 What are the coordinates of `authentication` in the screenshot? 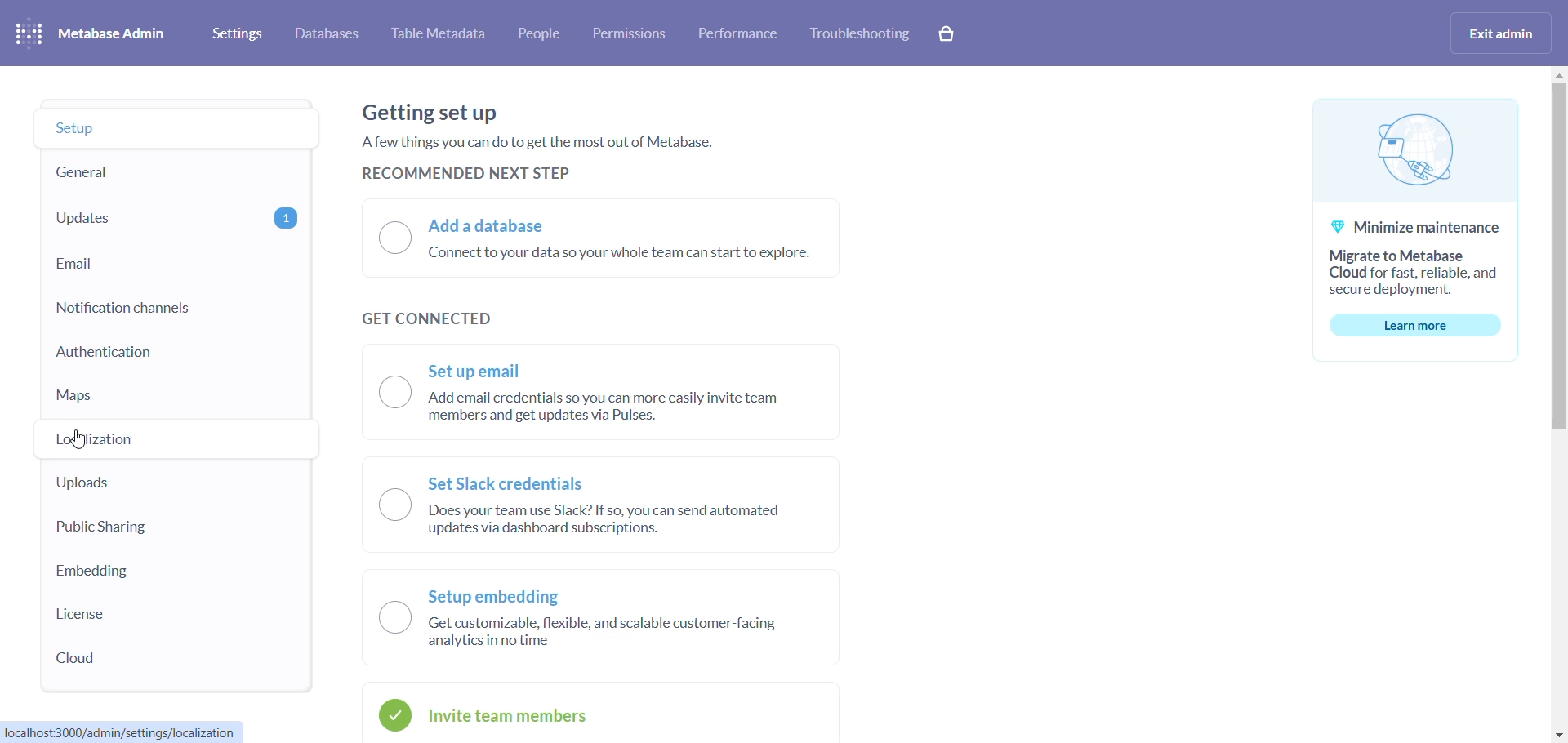 It's located at (169, 354).